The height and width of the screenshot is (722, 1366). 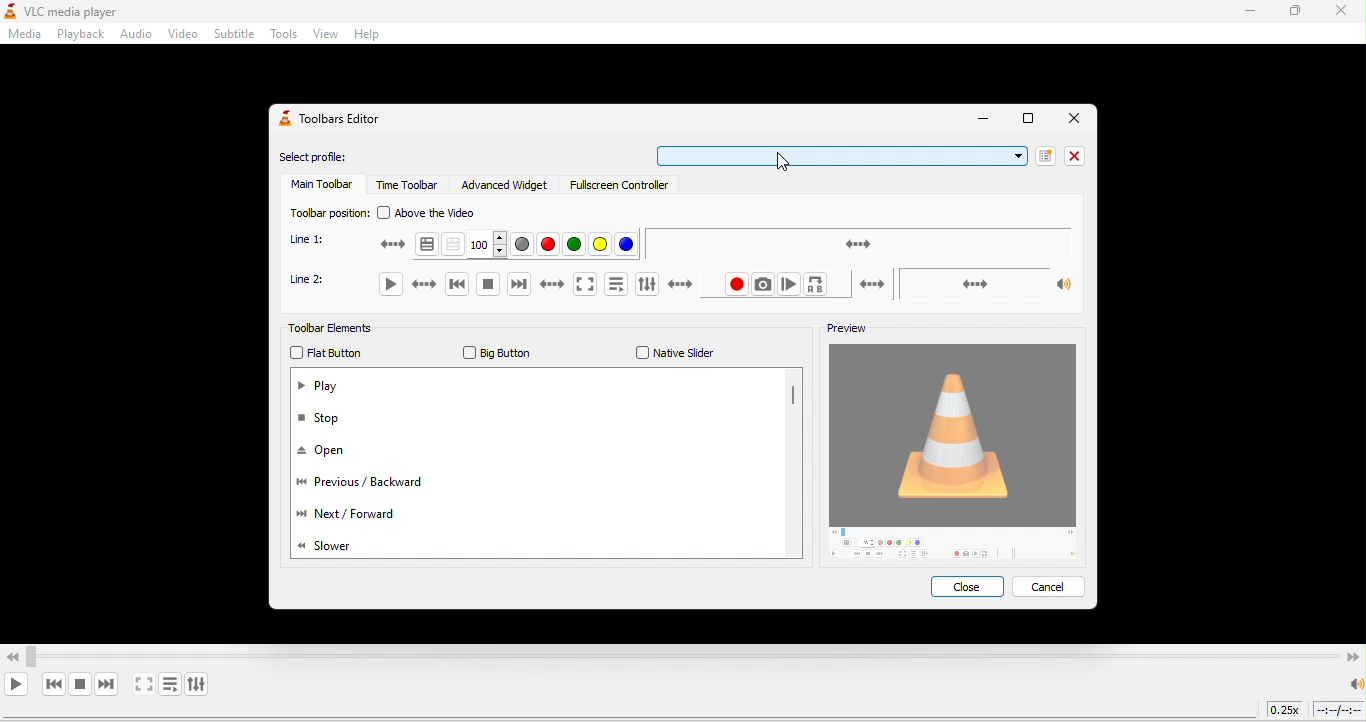 I want to click on green, so click(x=577, y=247).